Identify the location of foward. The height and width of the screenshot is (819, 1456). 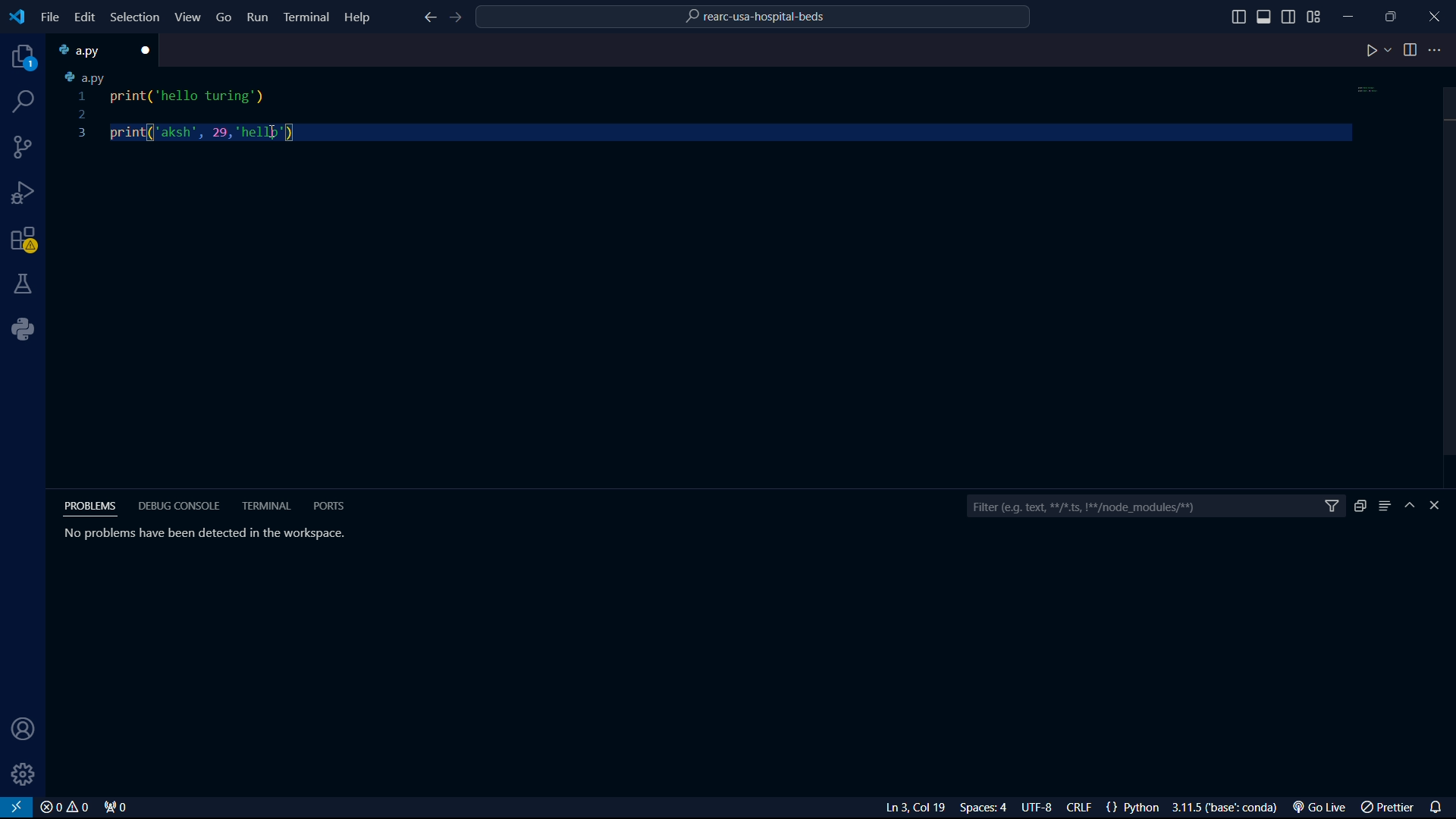
(459, 18).